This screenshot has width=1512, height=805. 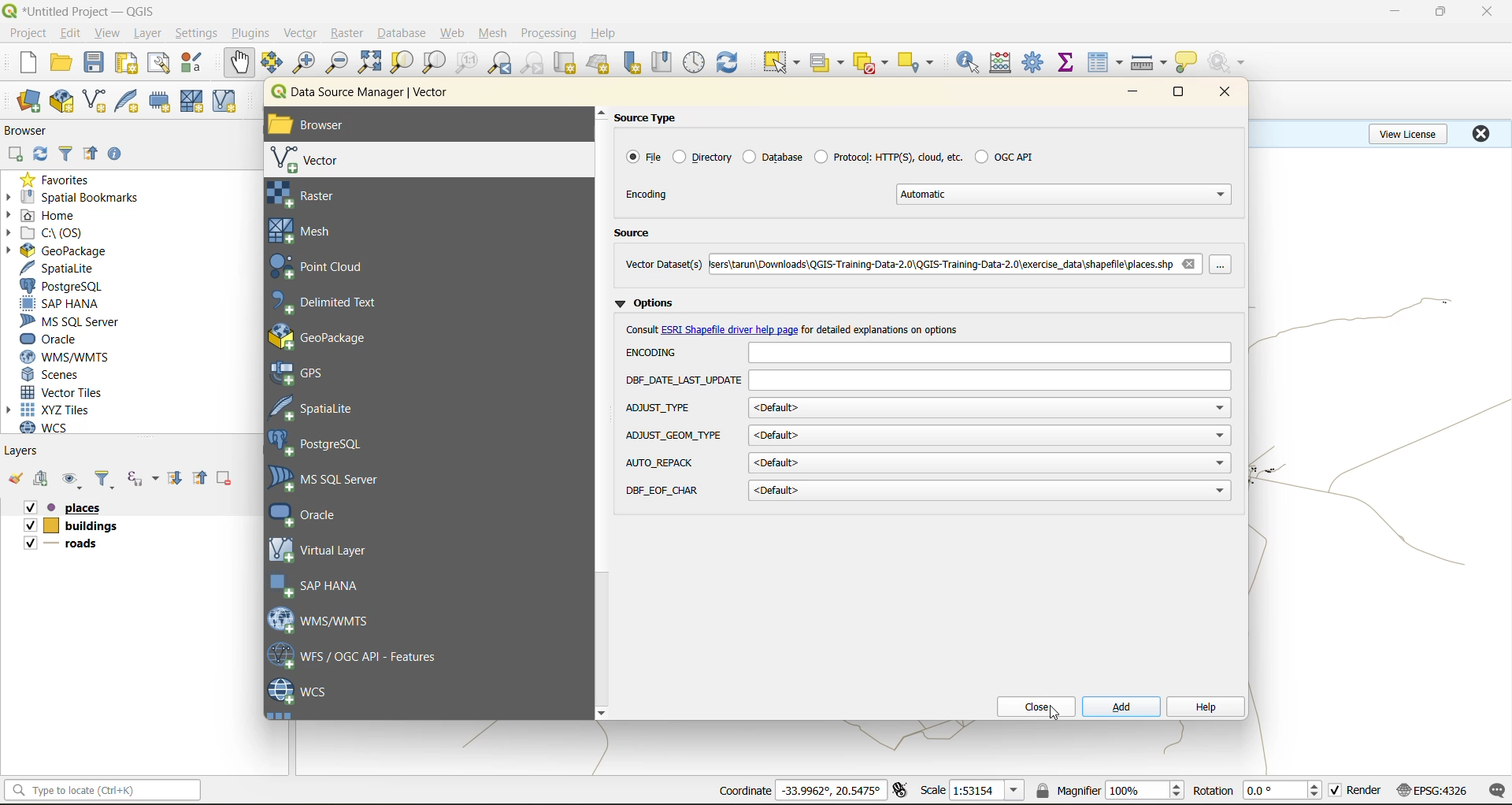 I want to click on close, so click(x=1480, y=133).